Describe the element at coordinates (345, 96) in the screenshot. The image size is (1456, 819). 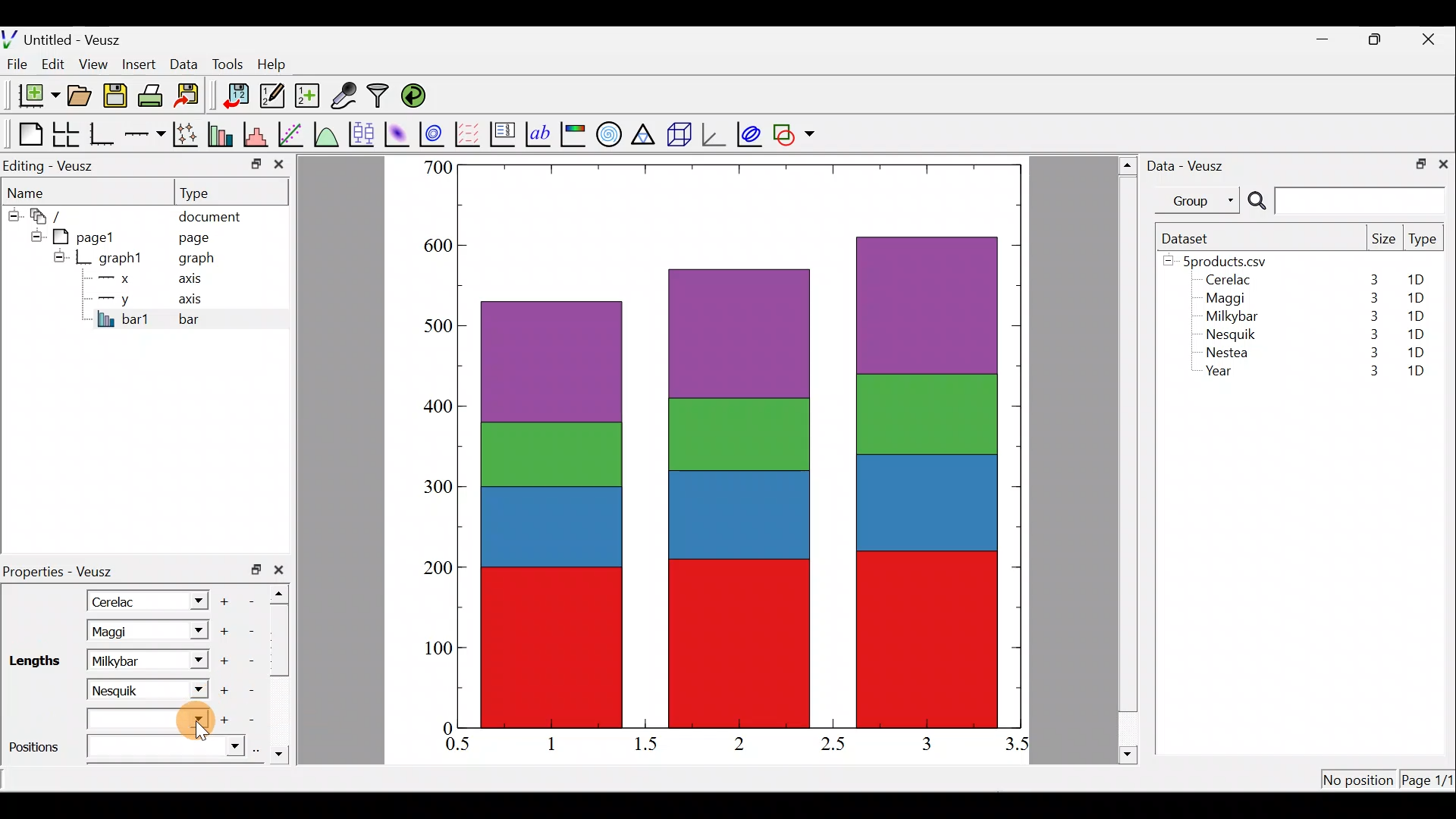
I see `Capture remote data` at that location.